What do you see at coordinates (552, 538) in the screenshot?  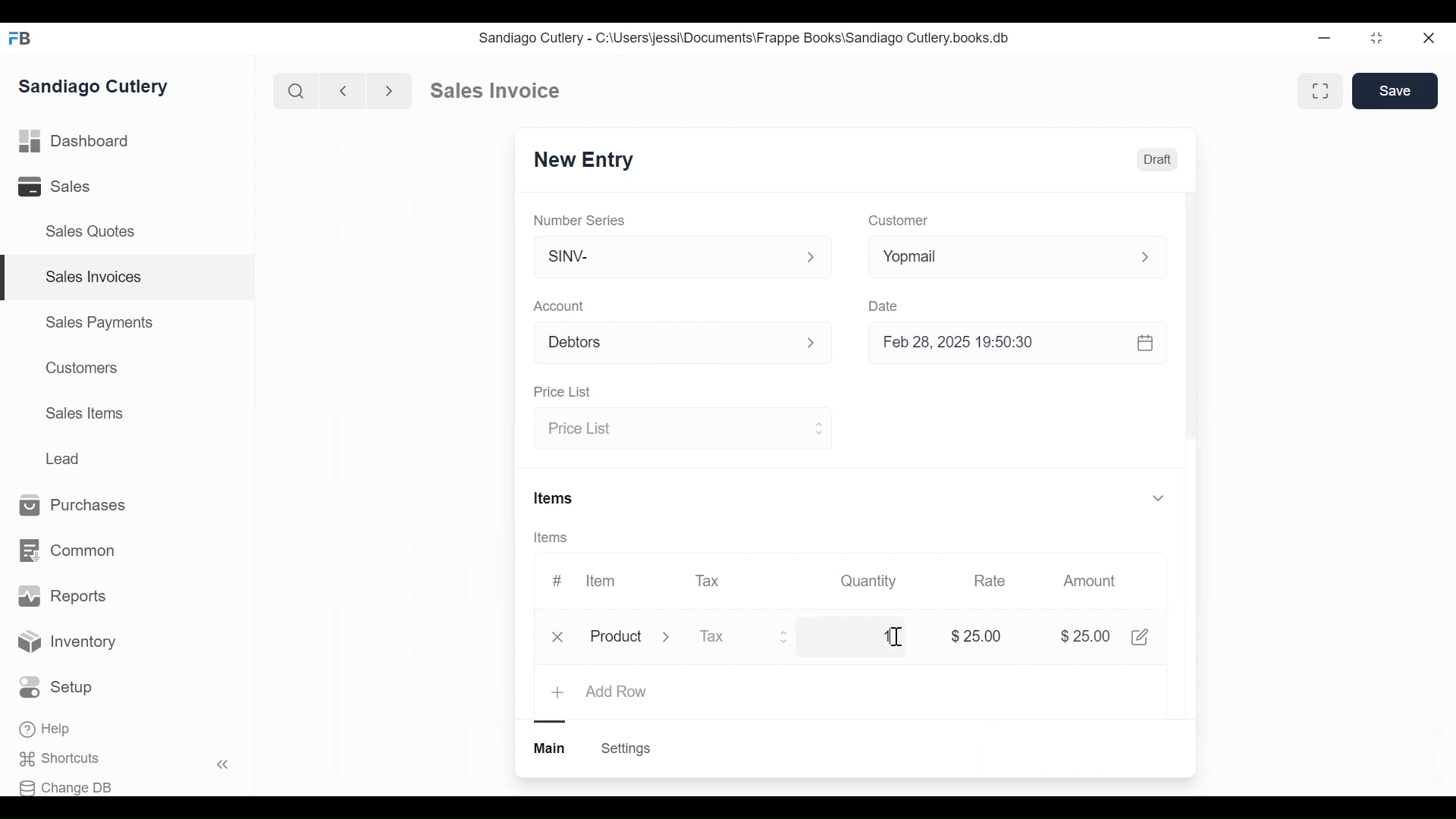 I see `Items` at bounding box center [552, 538].